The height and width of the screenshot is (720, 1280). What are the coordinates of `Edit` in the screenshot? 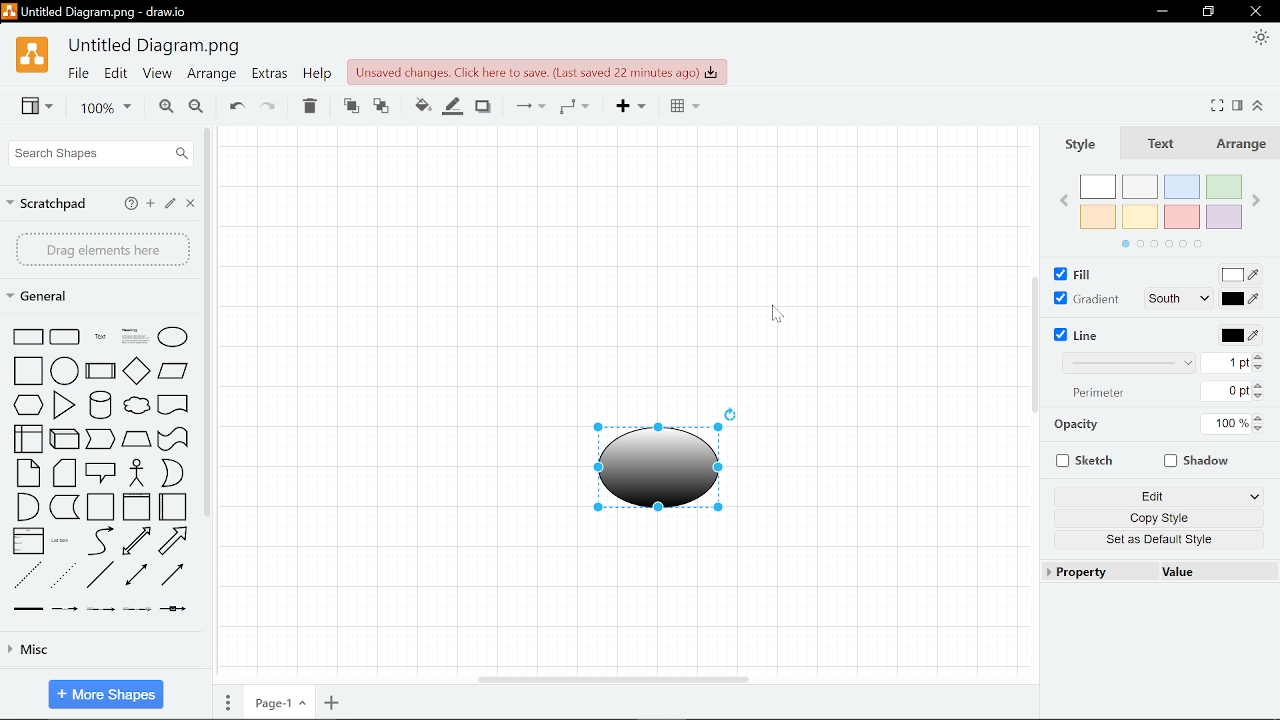 It's located at (1158, 496).